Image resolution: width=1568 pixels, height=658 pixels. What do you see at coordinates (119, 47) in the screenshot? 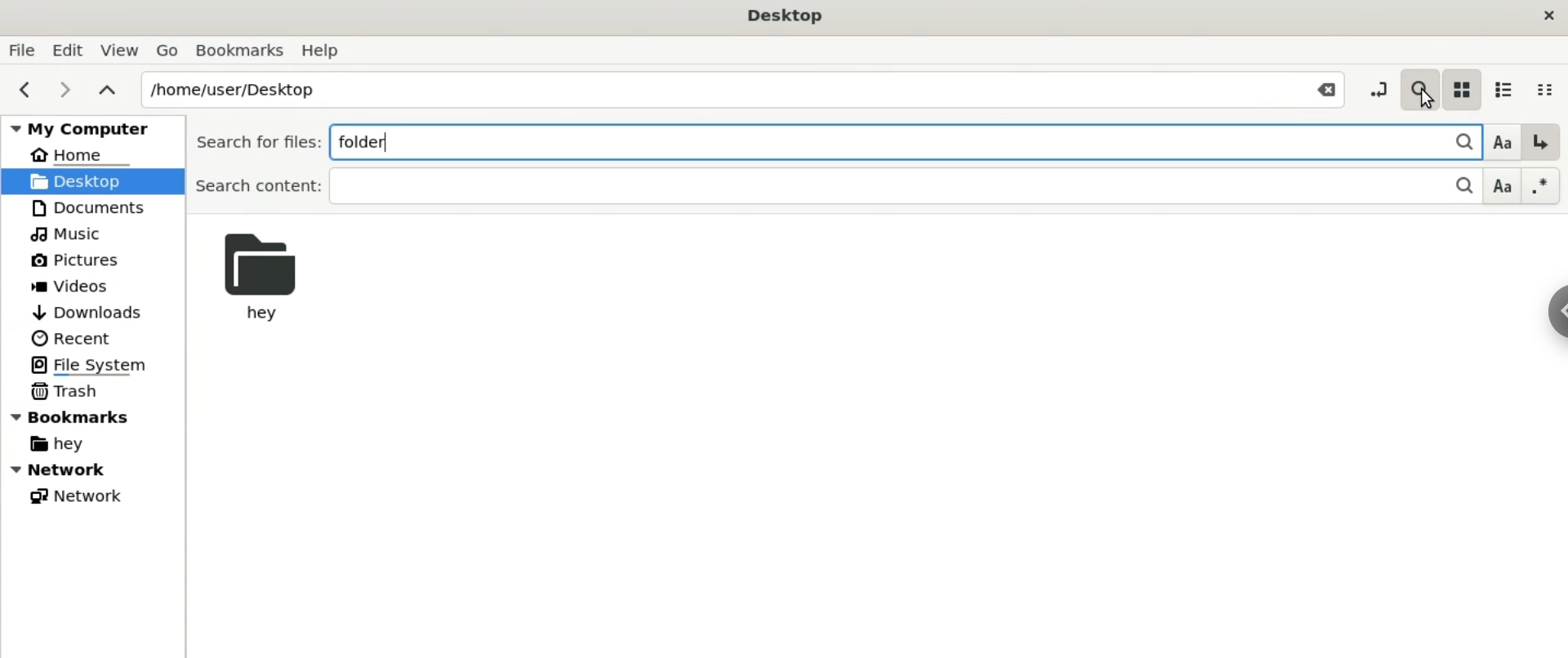
I see `View` at bounding box center [119, 47].